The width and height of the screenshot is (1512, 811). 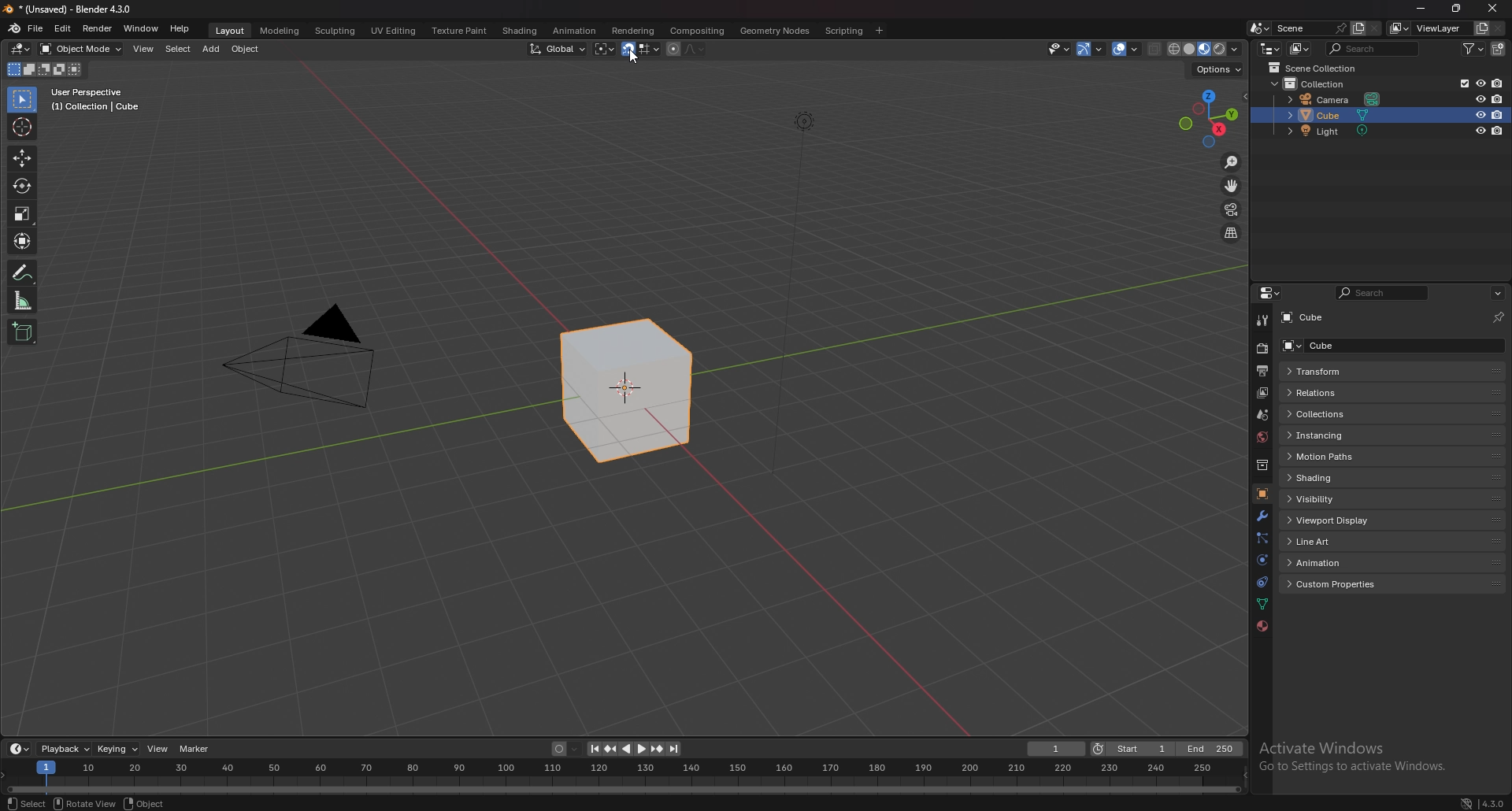 I want to click on modifier, so click(x=1262, y=516).